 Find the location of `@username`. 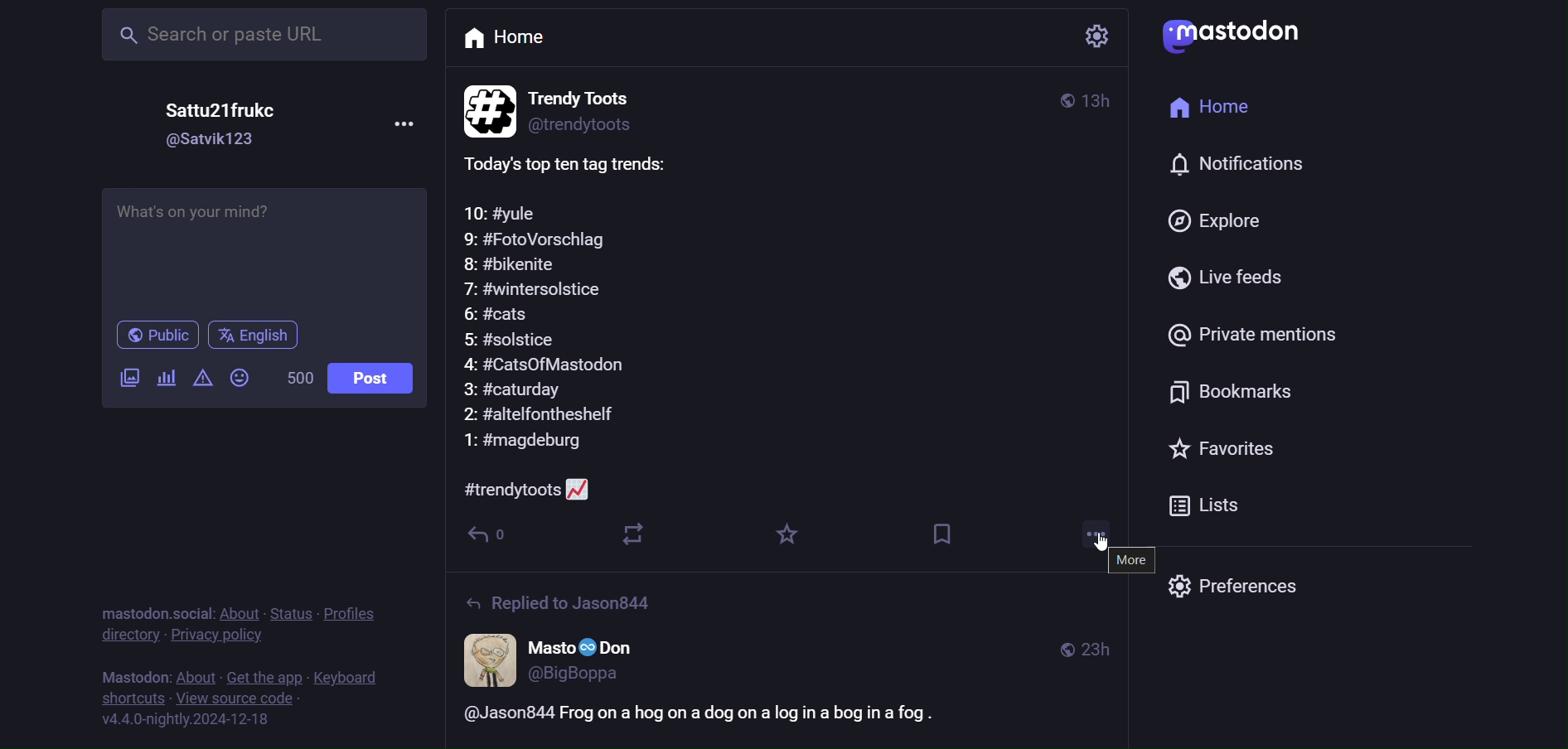

@username is located at coordinates (211, 143).